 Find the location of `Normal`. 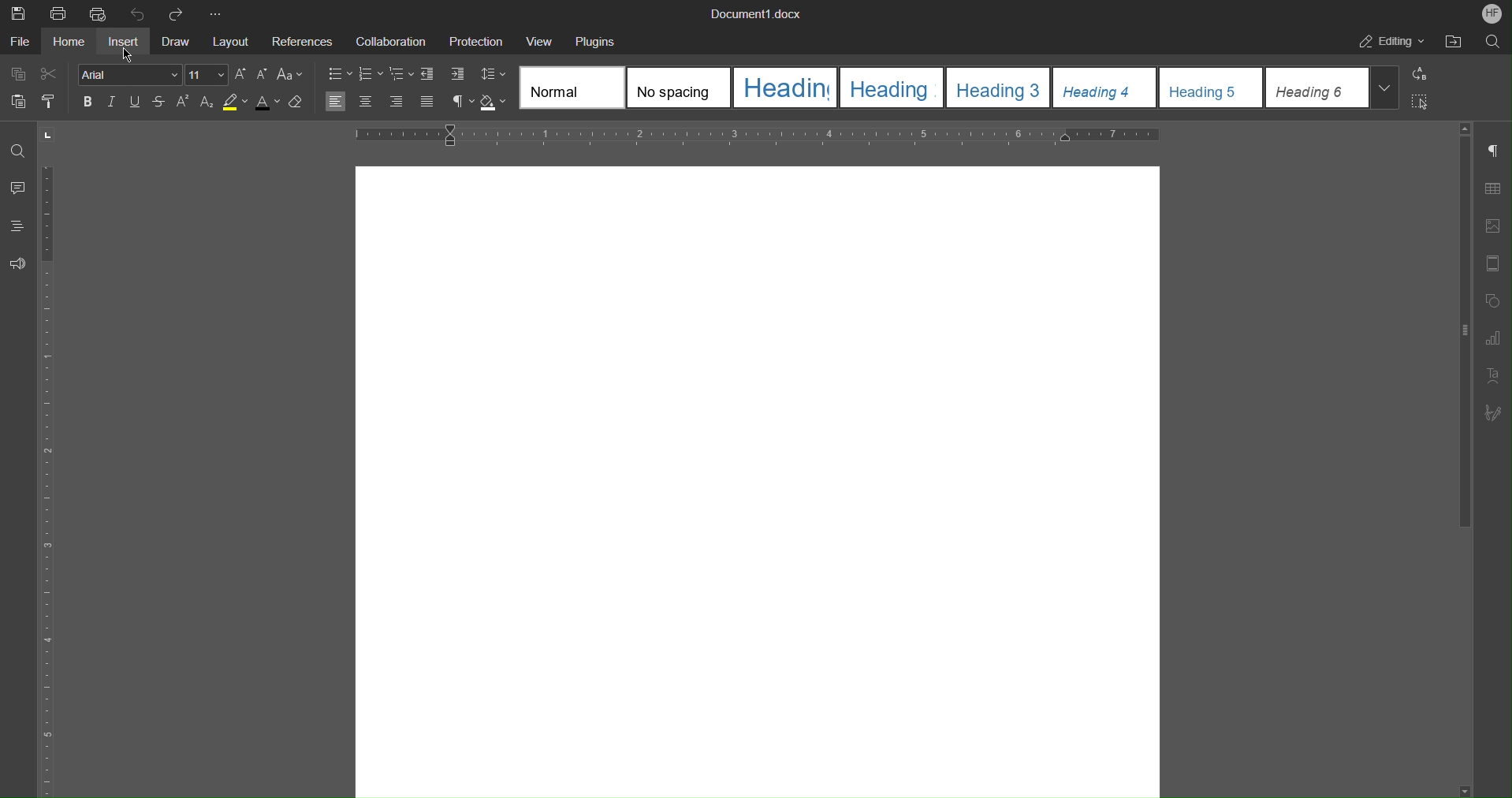

Normal is located at coordinates (573, 88).